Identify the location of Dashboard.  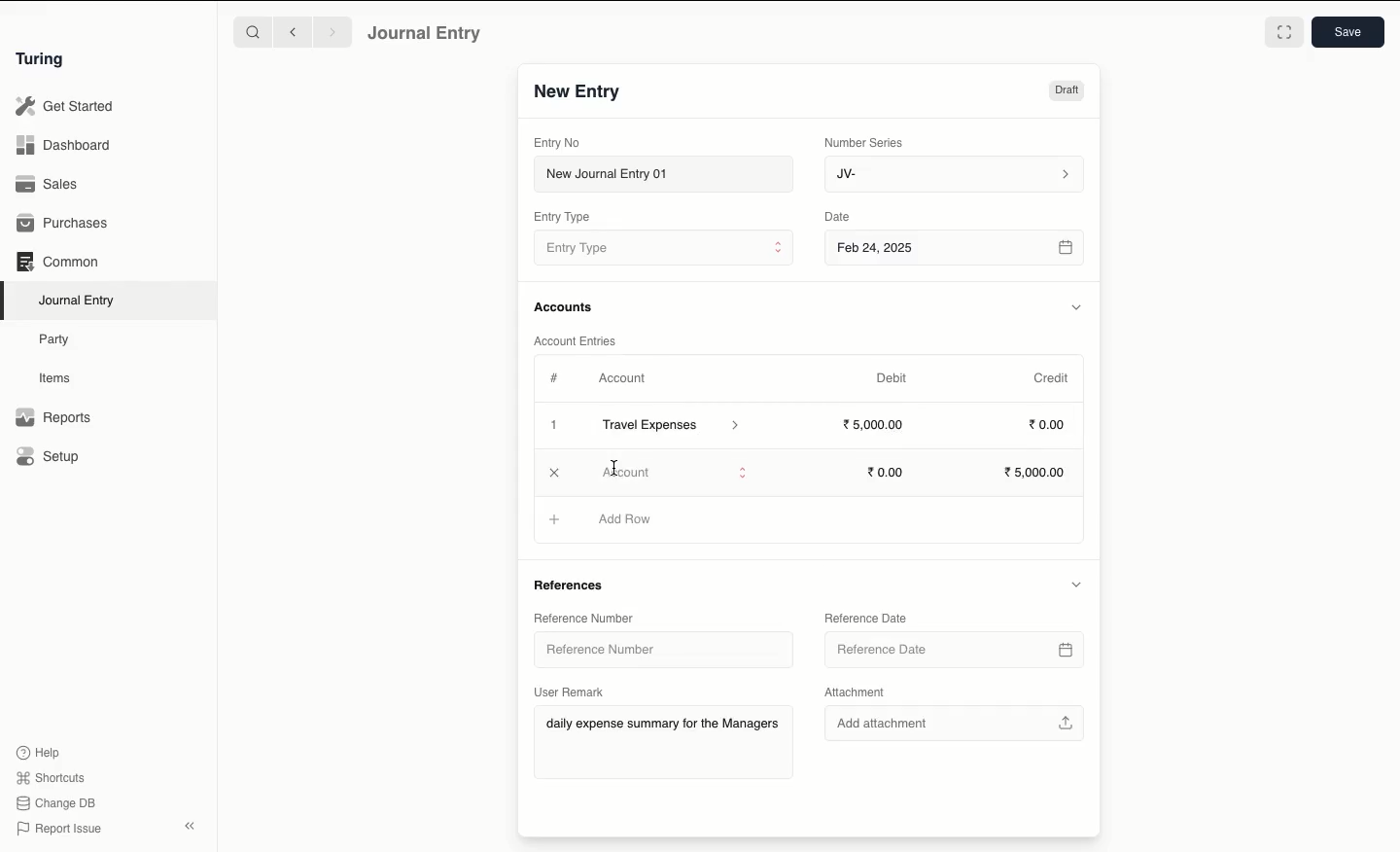
(63, 146).